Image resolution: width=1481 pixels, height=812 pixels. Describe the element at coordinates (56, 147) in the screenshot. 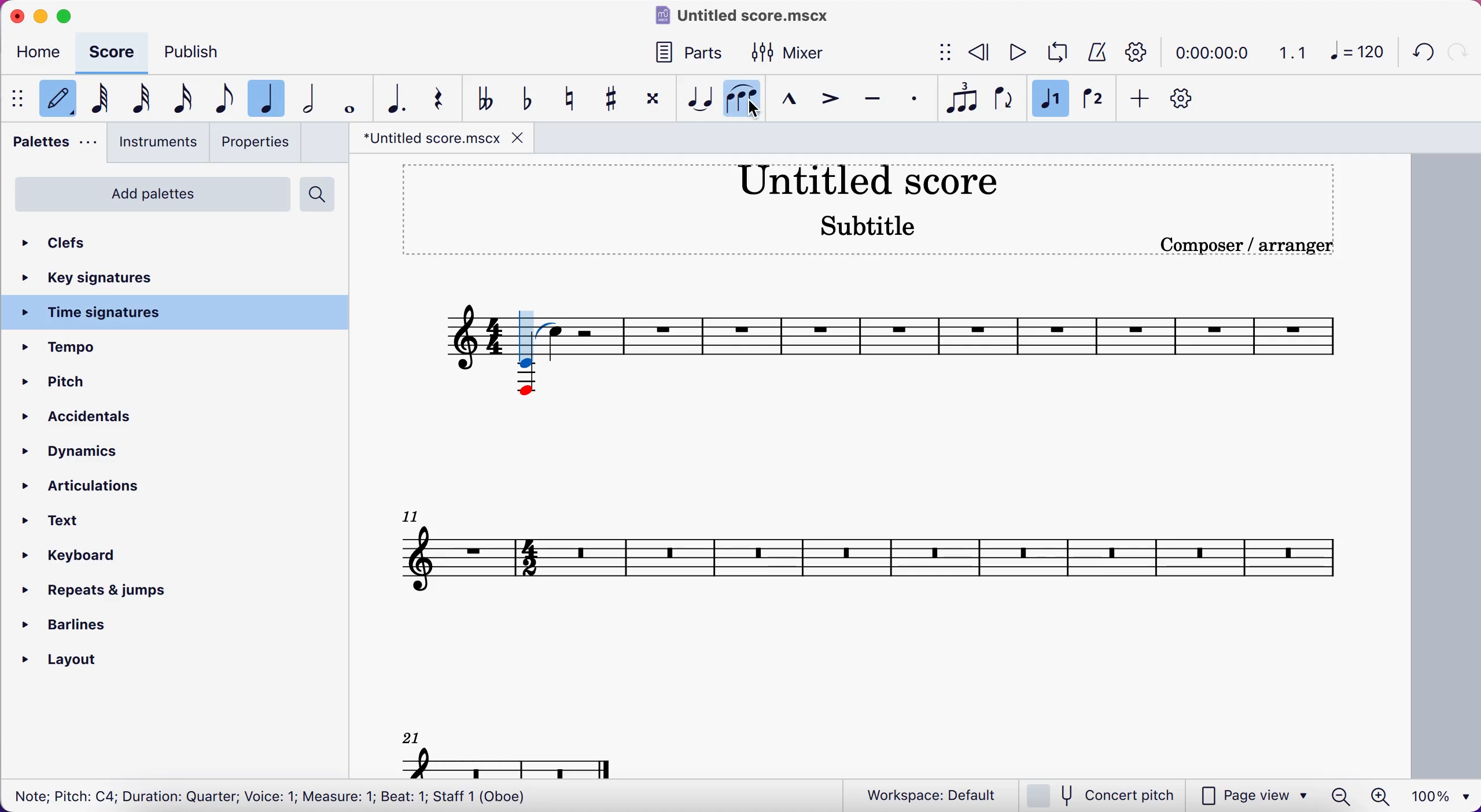

I see `palettes` at that location.